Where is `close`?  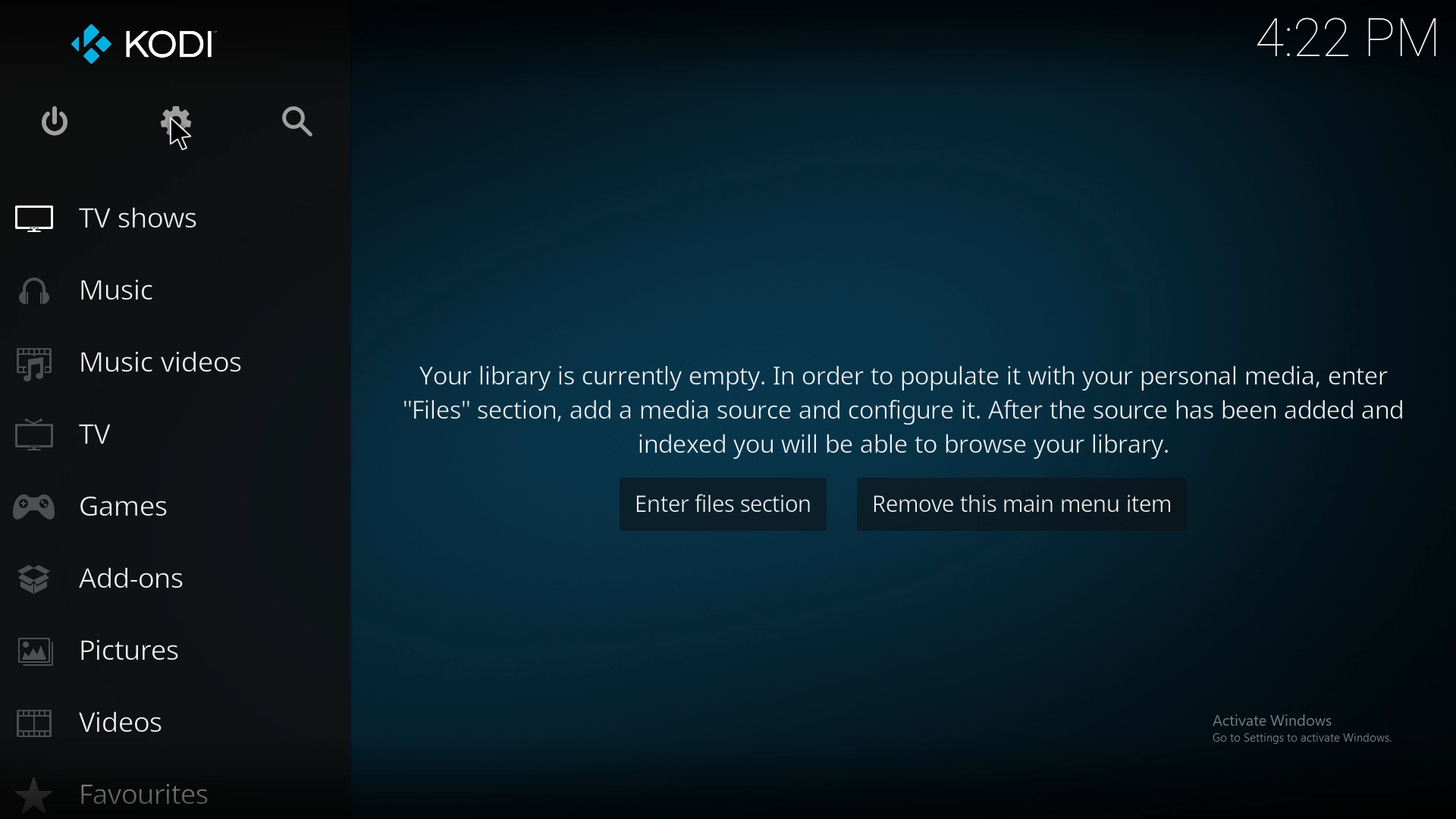
close is located at coordinates (56, 124).